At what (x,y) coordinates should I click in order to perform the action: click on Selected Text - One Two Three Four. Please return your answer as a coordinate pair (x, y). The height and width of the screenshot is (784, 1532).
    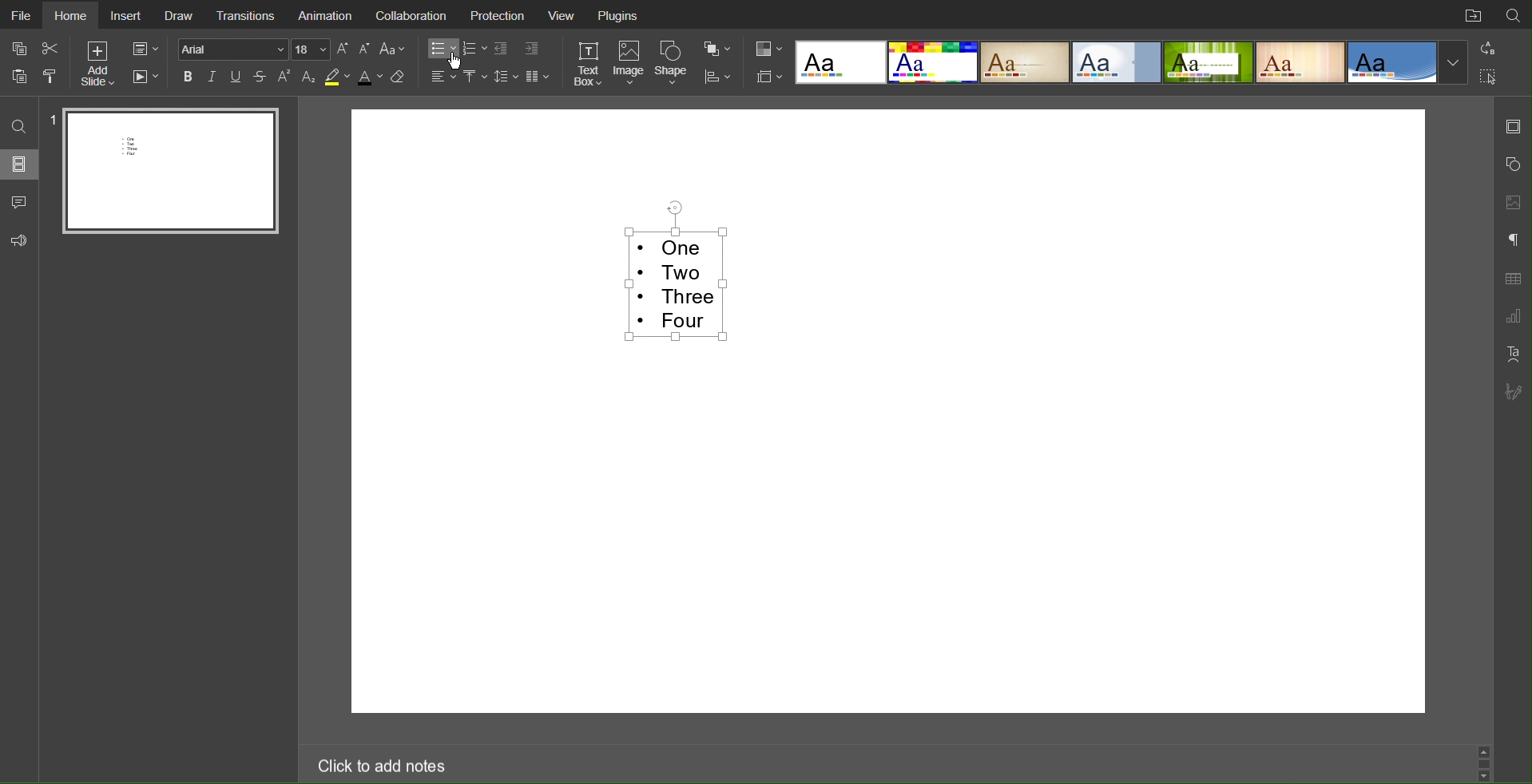
    Looking at the image, I should click on (677, 279).